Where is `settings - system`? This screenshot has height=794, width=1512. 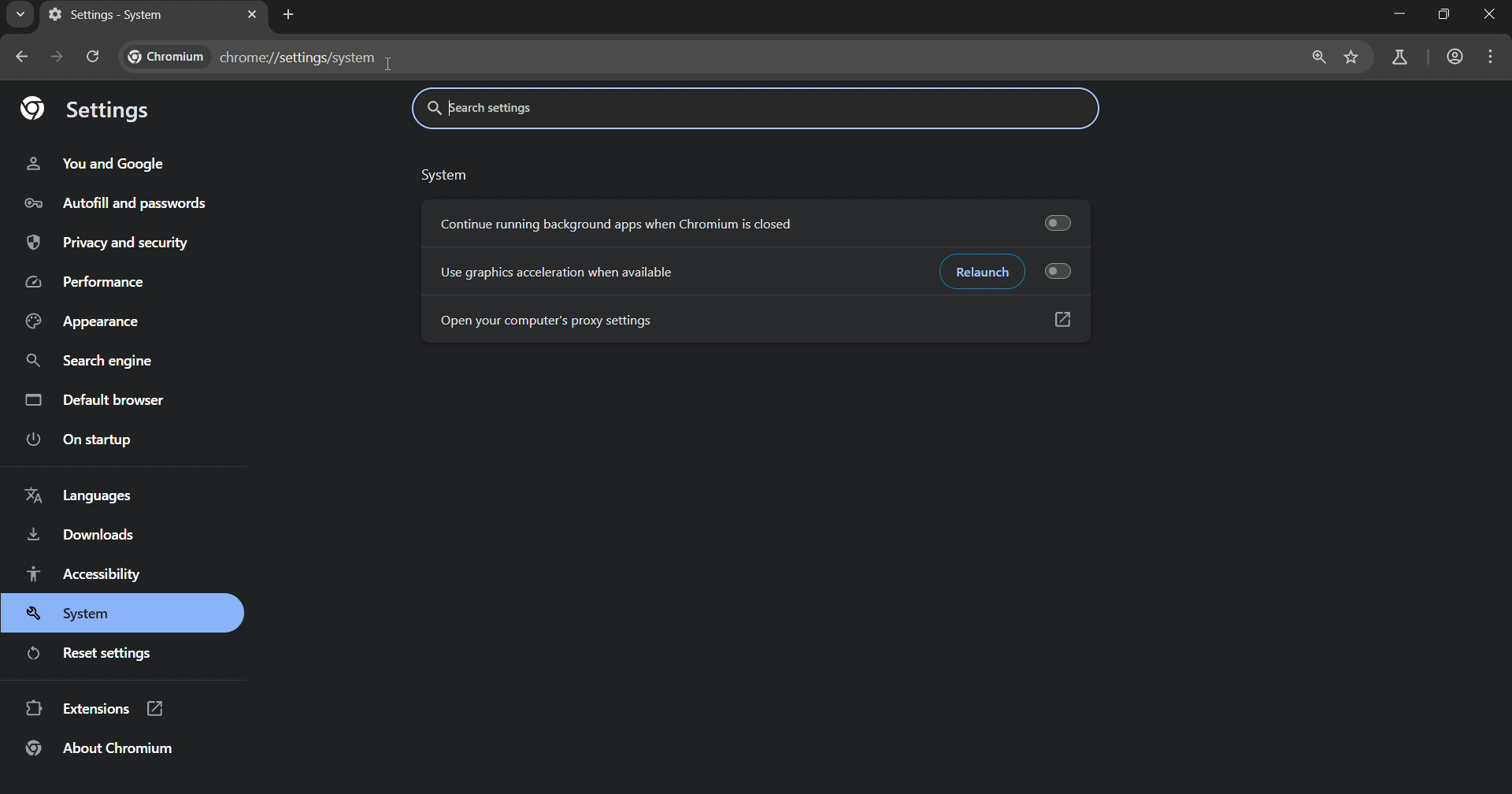
settings - system is located at coordinates (106, 17).